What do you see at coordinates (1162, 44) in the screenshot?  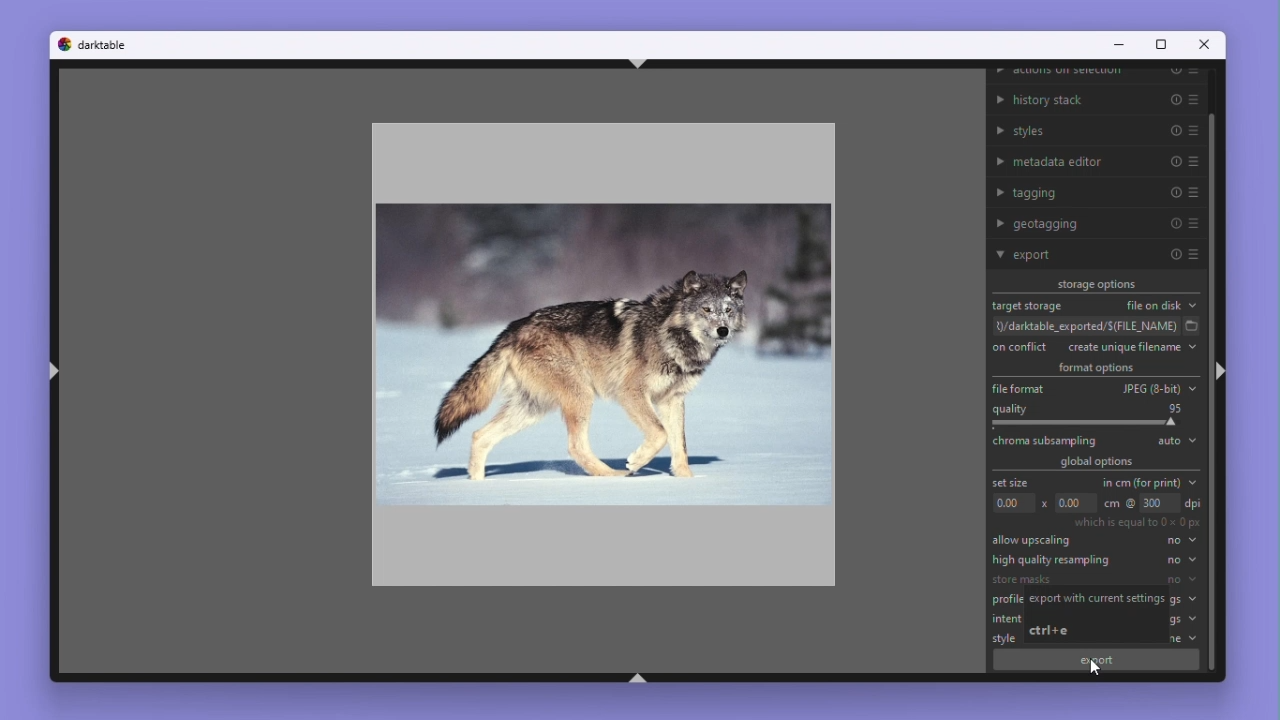 I see `Maximize` at bounding box center [1162, 44].